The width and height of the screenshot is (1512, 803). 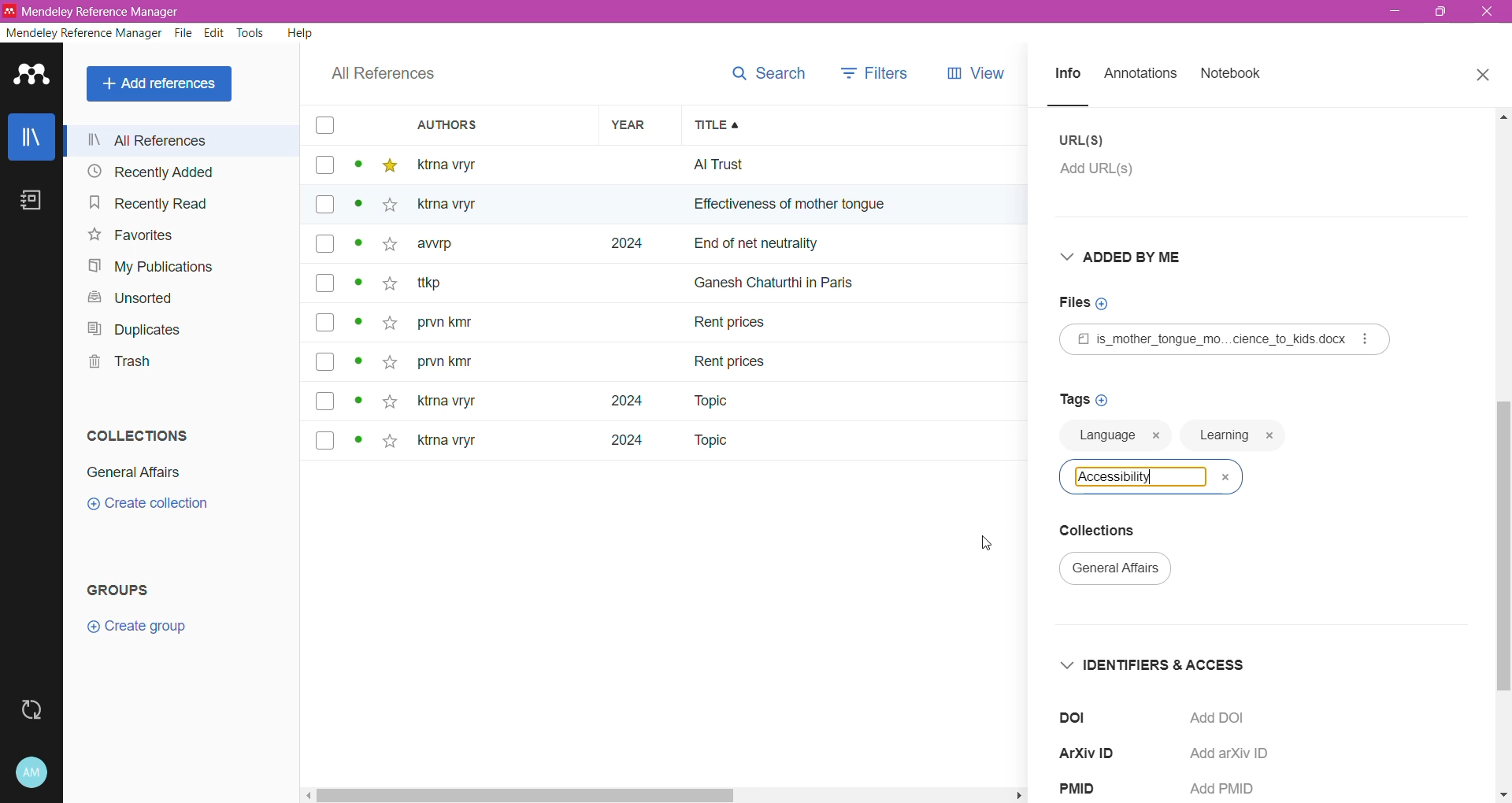 What do you see at coordinates (1159, 664) in the screenshot?
I see `Identifiers and Access` at bounding box center [1159, 664].